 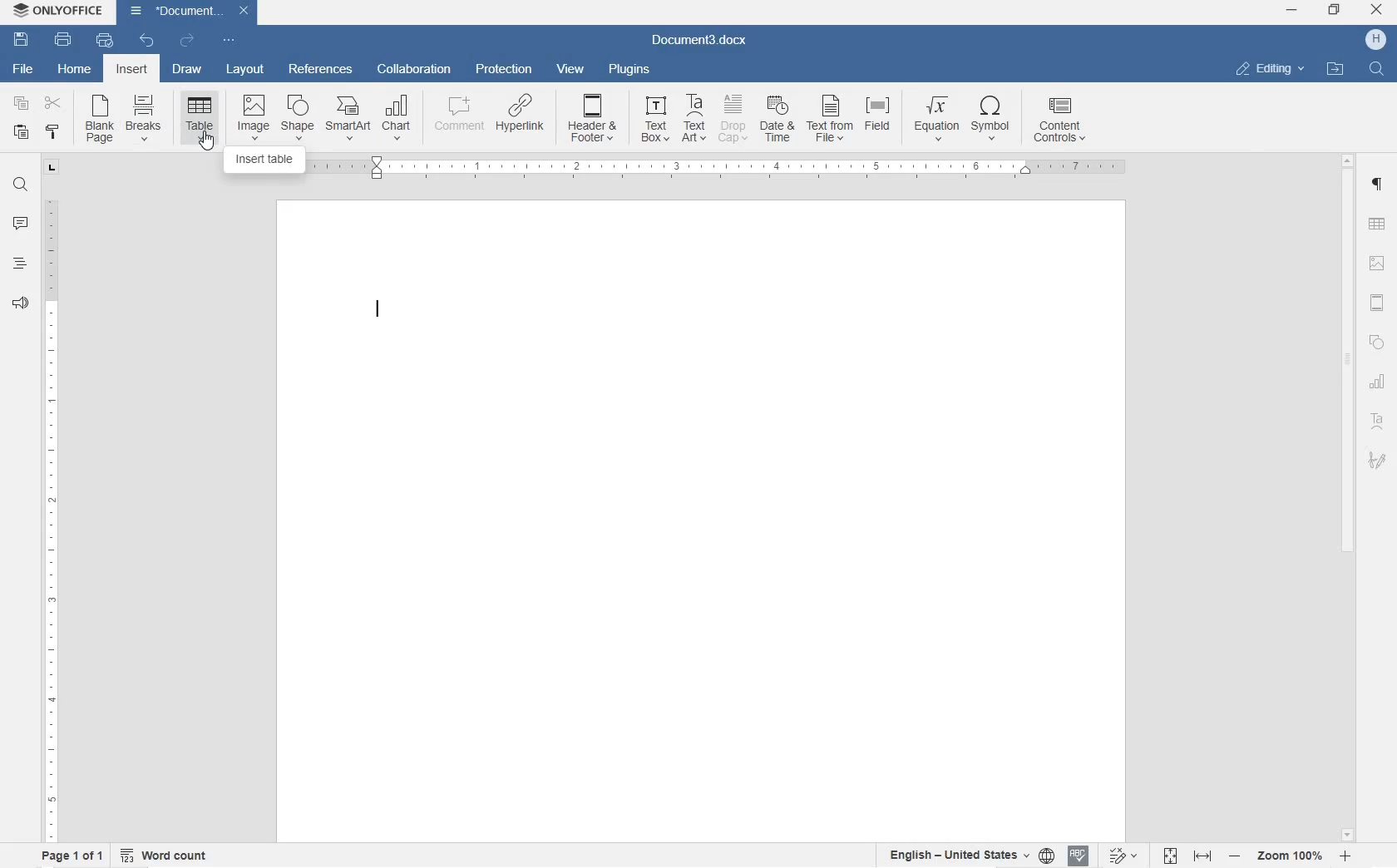 What do you see at coordinates (724, 169) in the screenshot?
I see `Ruler` at bounding box center [724, 169].